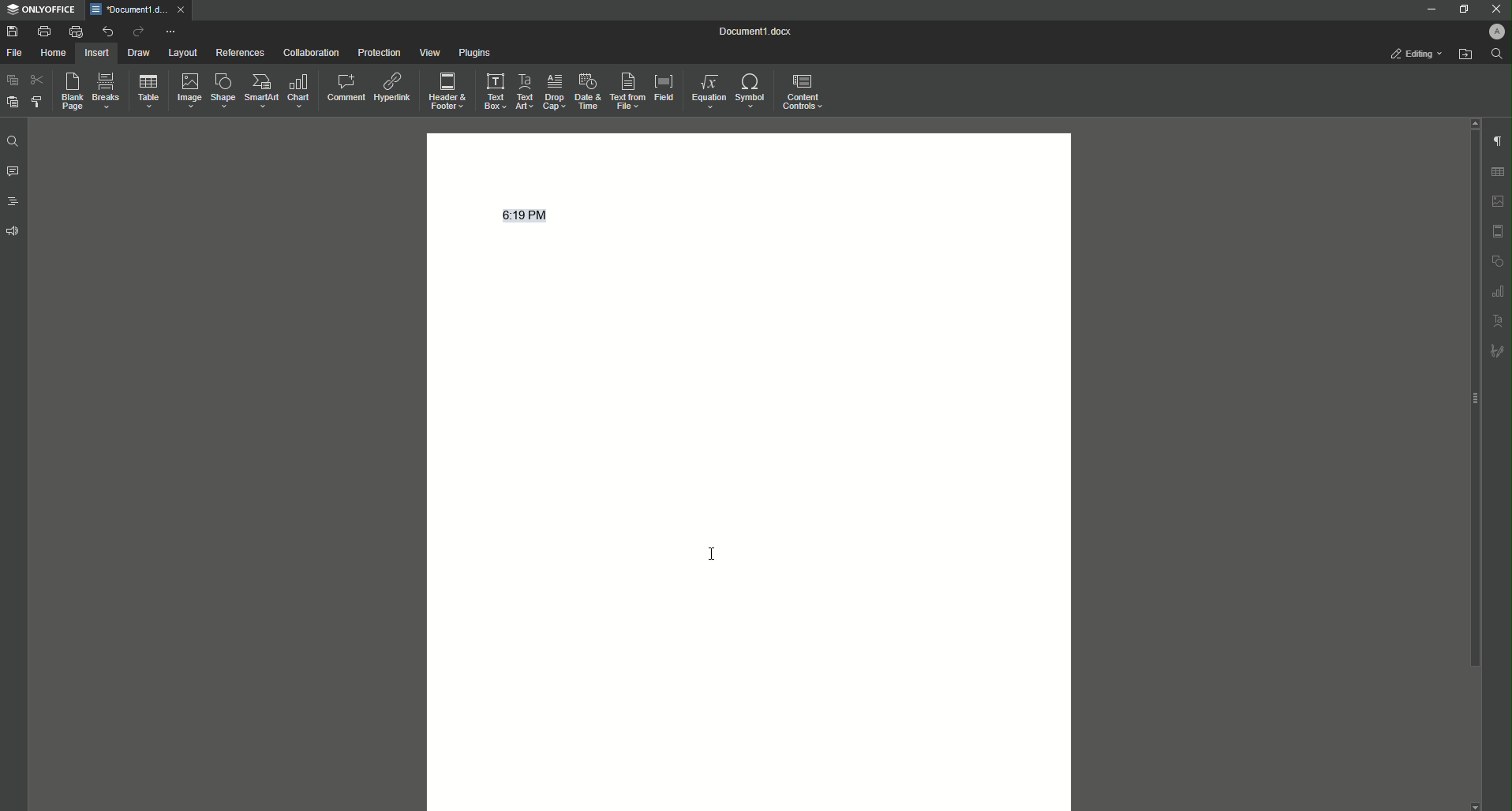  What do you see at coordinates (494, 90) in the screenshot?
I see `Text Box` at bounding box center [494, 90].